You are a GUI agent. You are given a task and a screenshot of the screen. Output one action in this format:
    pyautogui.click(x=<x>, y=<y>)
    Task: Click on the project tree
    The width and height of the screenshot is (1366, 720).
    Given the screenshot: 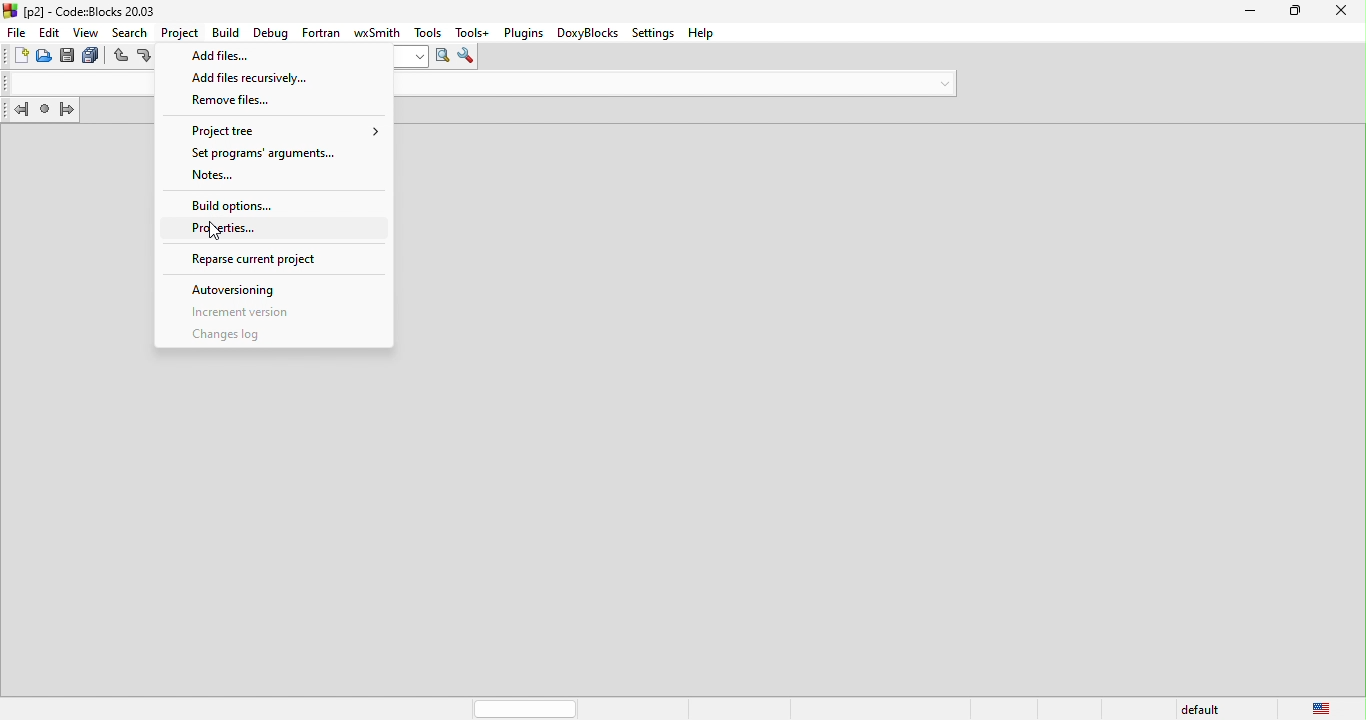 What is the action you would take?
    pyautogui.click(x=274, y=129)
    